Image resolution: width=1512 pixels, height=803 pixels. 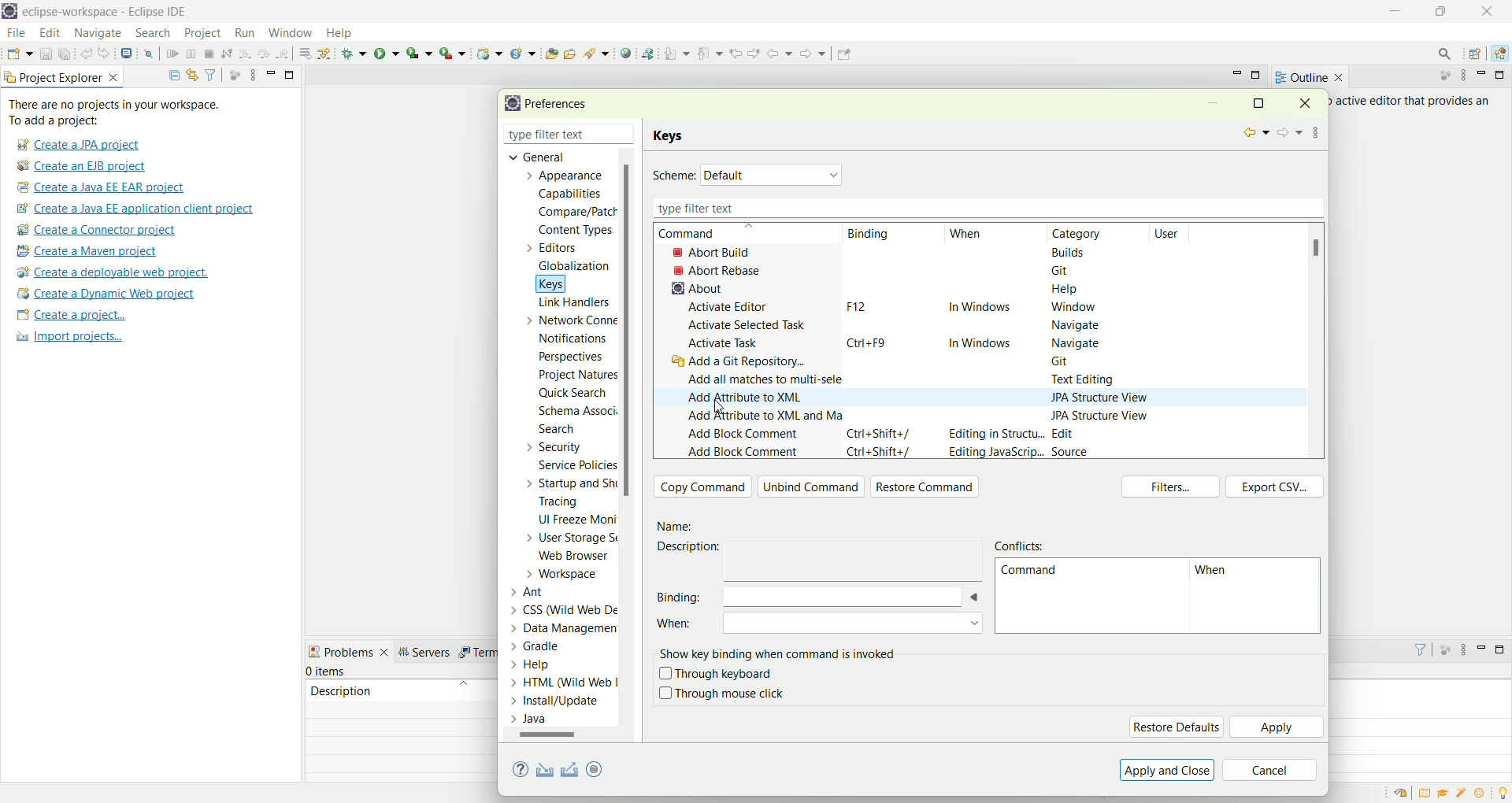 What do you see at coordinates (135, 211) in the screenshot?
I see `create a Java EE application client project` at bounding box center [135, 211].